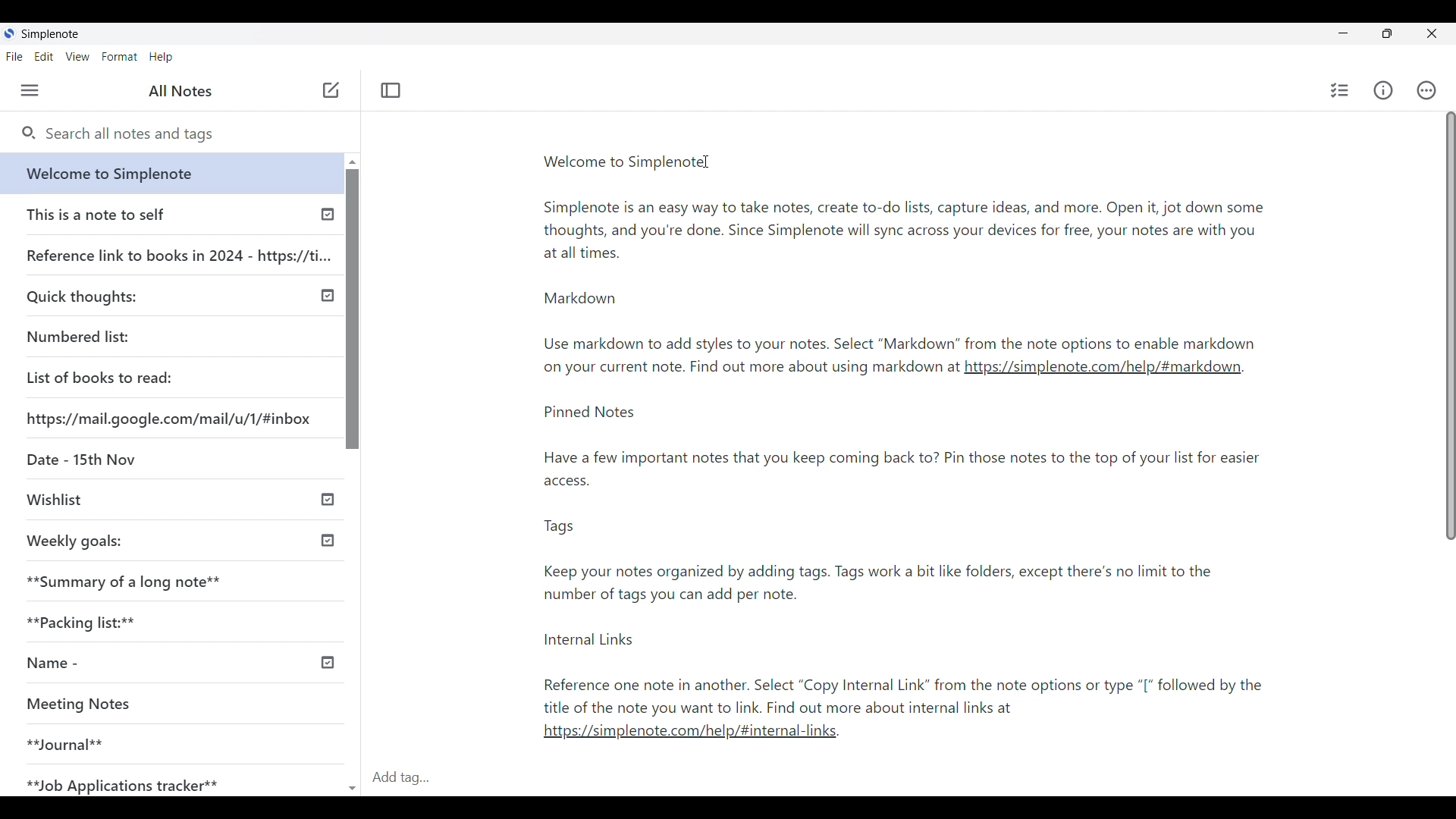 Image resolution: width=1456 pixels, height=819 pixels. Describe the element at coordinates (908, 778) in the screenshot. I see `Click to type in tags` at that location.